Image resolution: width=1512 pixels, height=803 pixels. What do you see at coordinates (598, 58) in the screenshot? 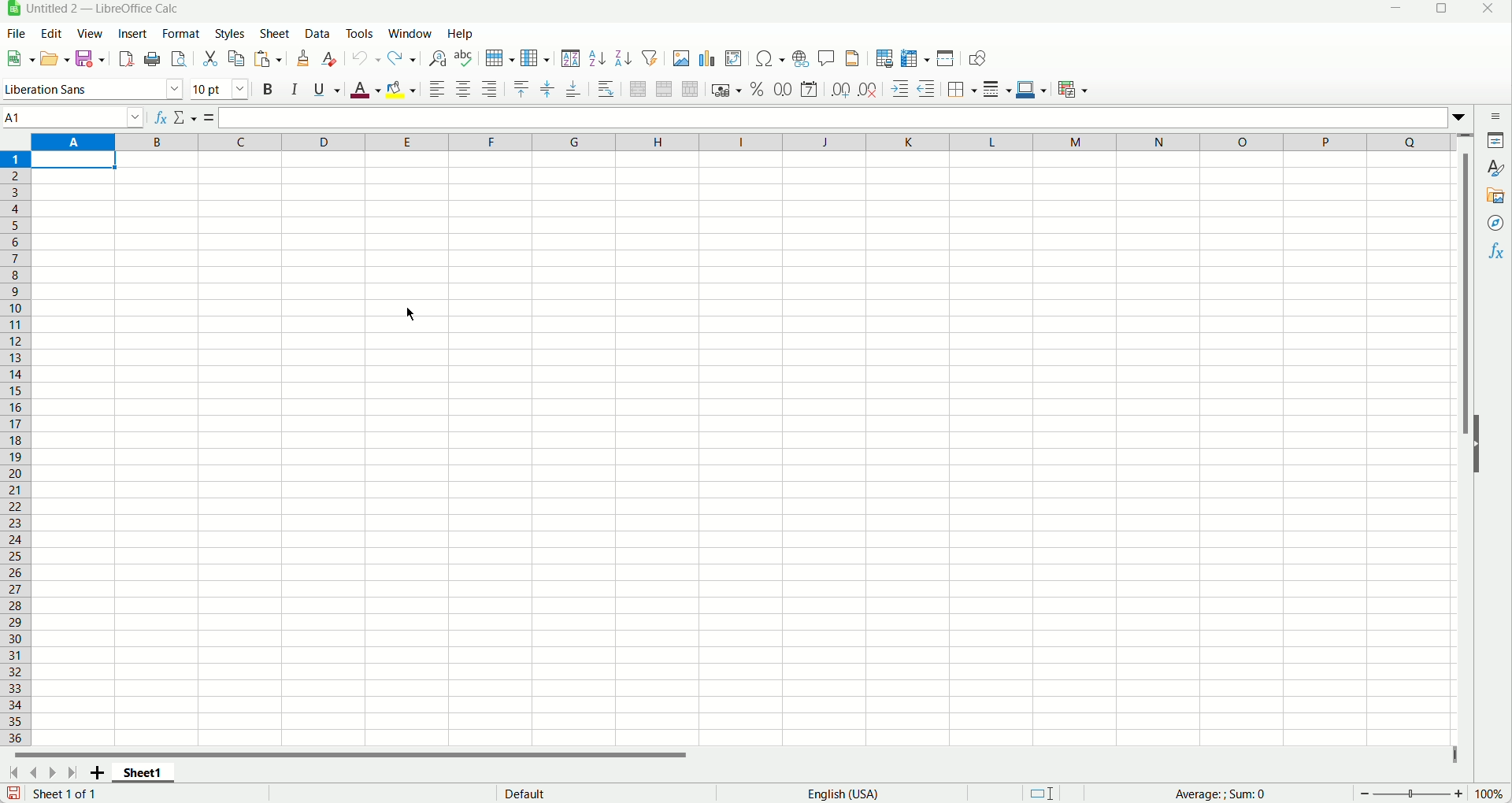
I see `Sort ascending` at bounding box center [598, 58].